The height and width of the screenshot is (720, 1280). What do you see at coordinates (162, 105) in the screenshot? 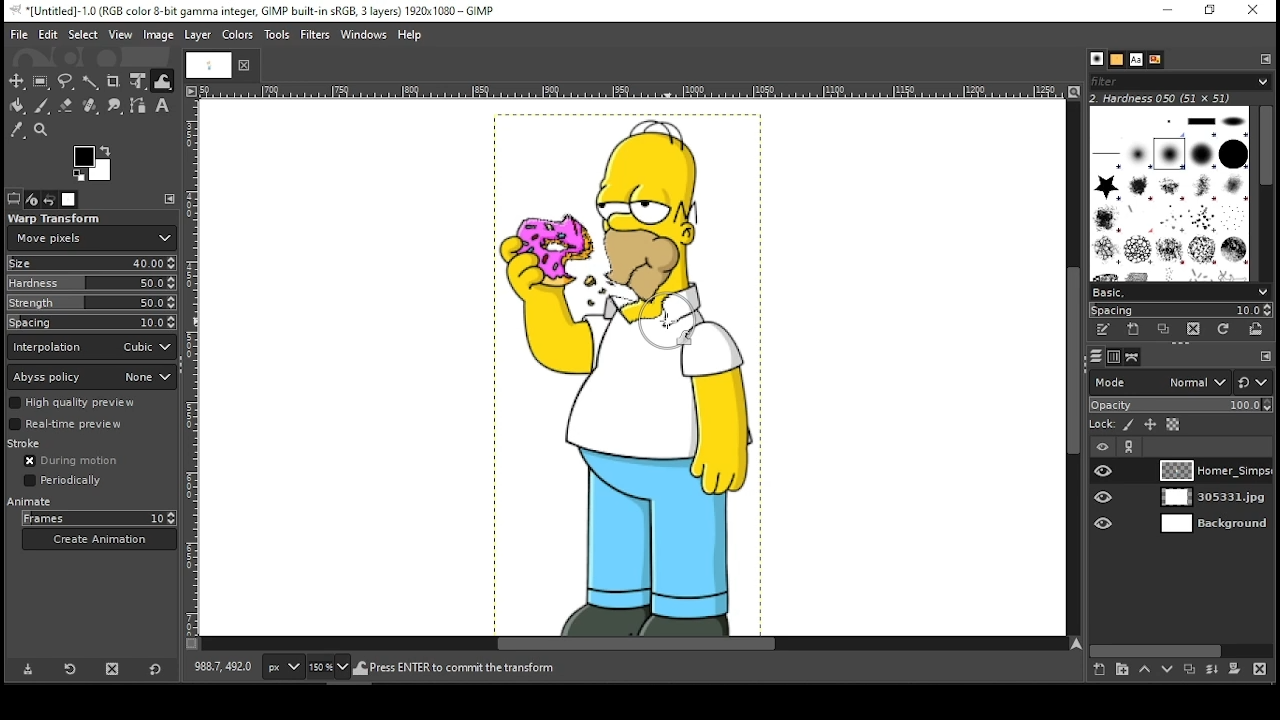
I see `text tool` at bounding box center [162, 105].